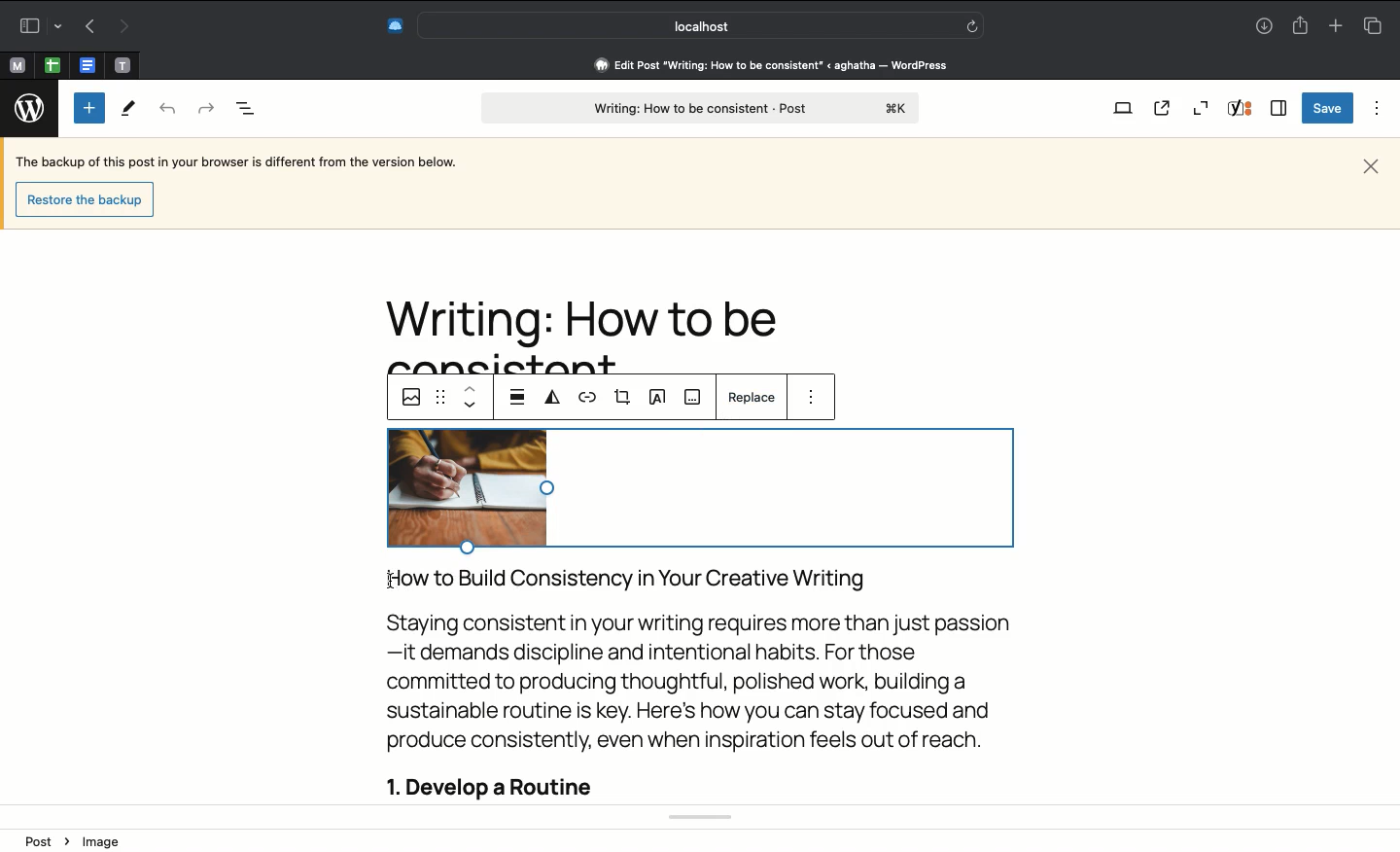 The height and width of the screenshot is (852, 1400). Describe the element at coordinates (812, 396) in the screenshot. I see `Options` at that location.